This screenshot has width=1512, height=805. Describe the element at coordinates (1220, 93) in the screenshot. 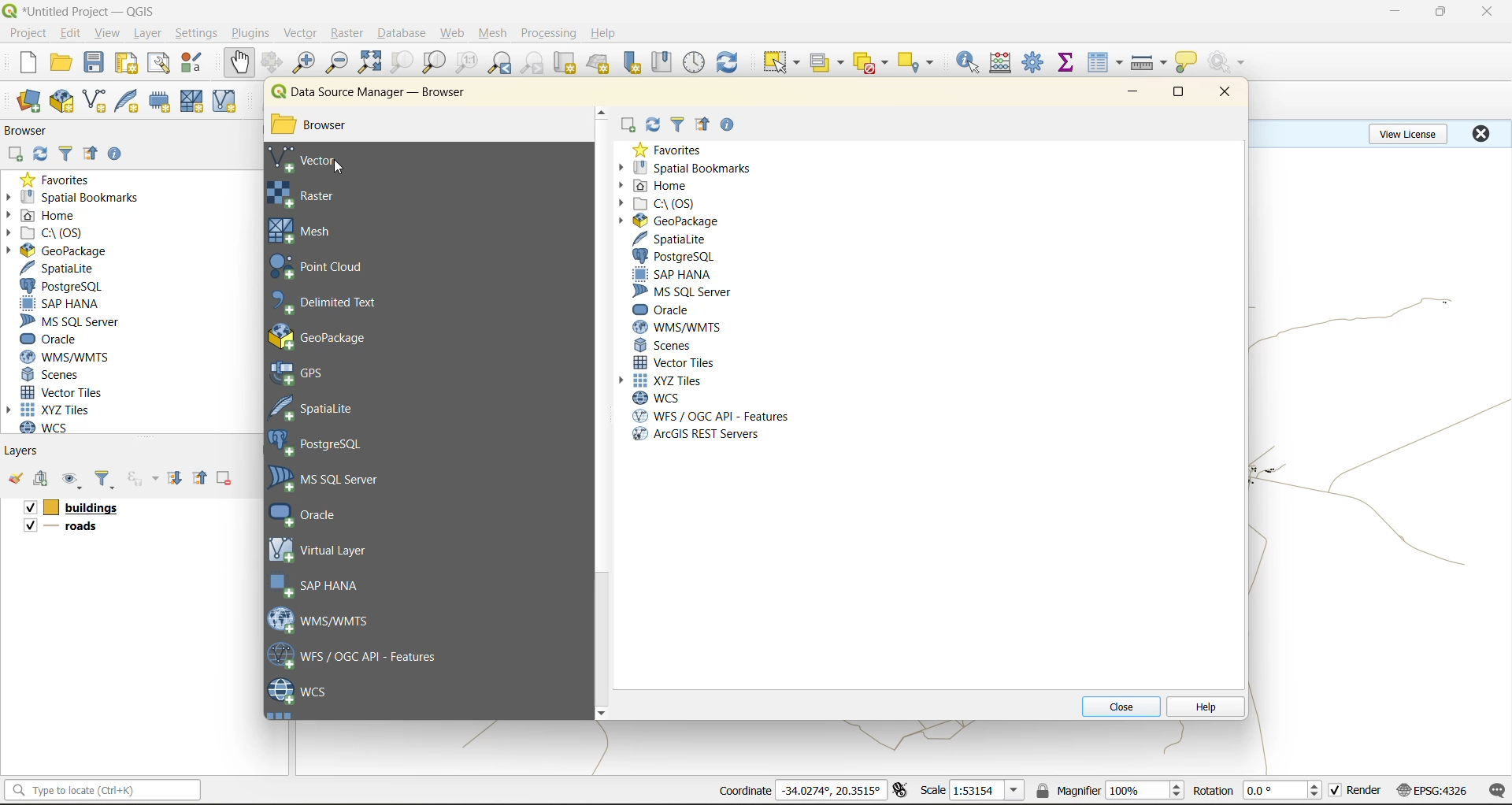

I see `close` at that location.